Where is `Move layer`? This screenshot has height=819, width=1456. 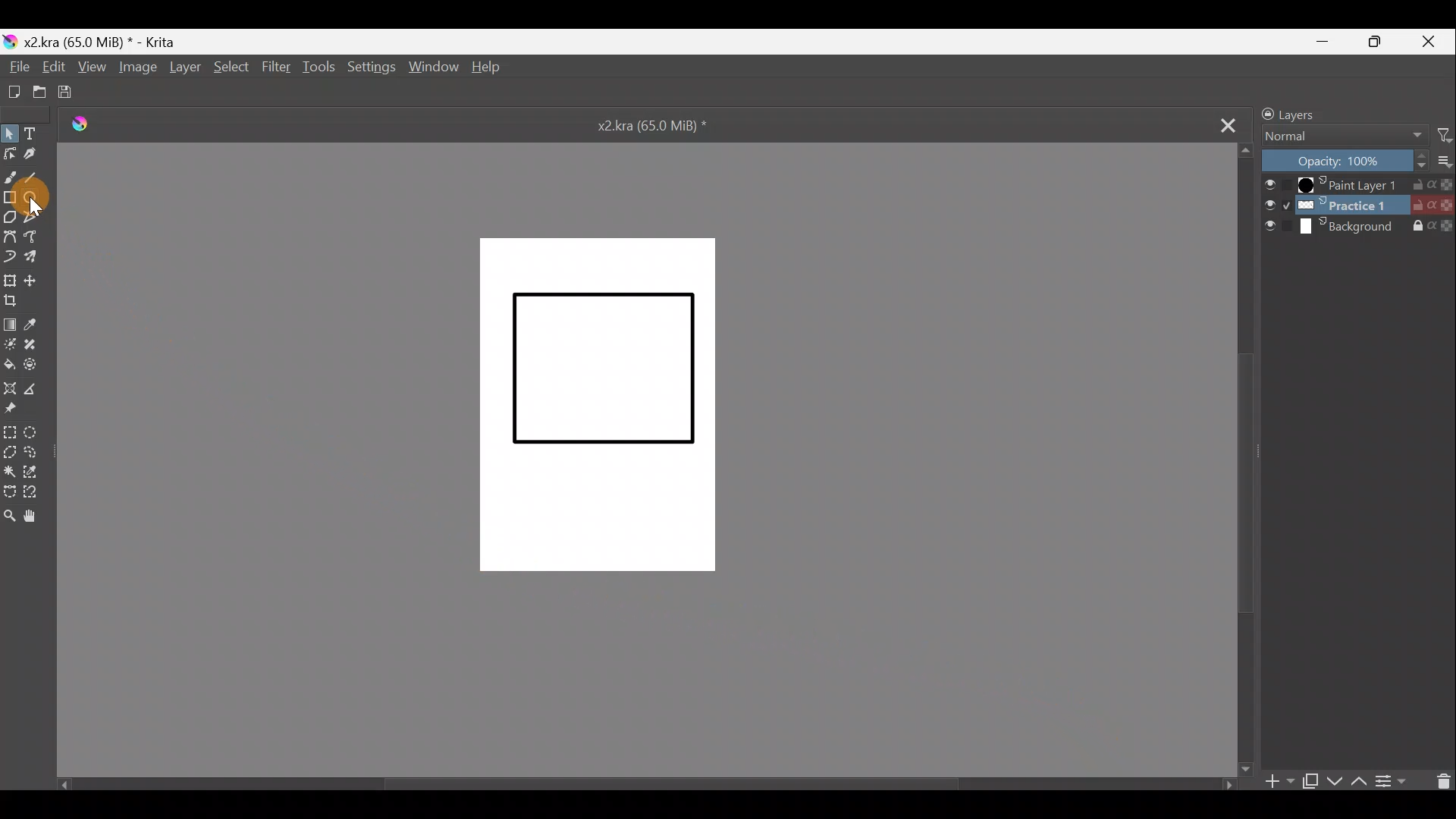 Move layer is located at coordinates (38, 281).